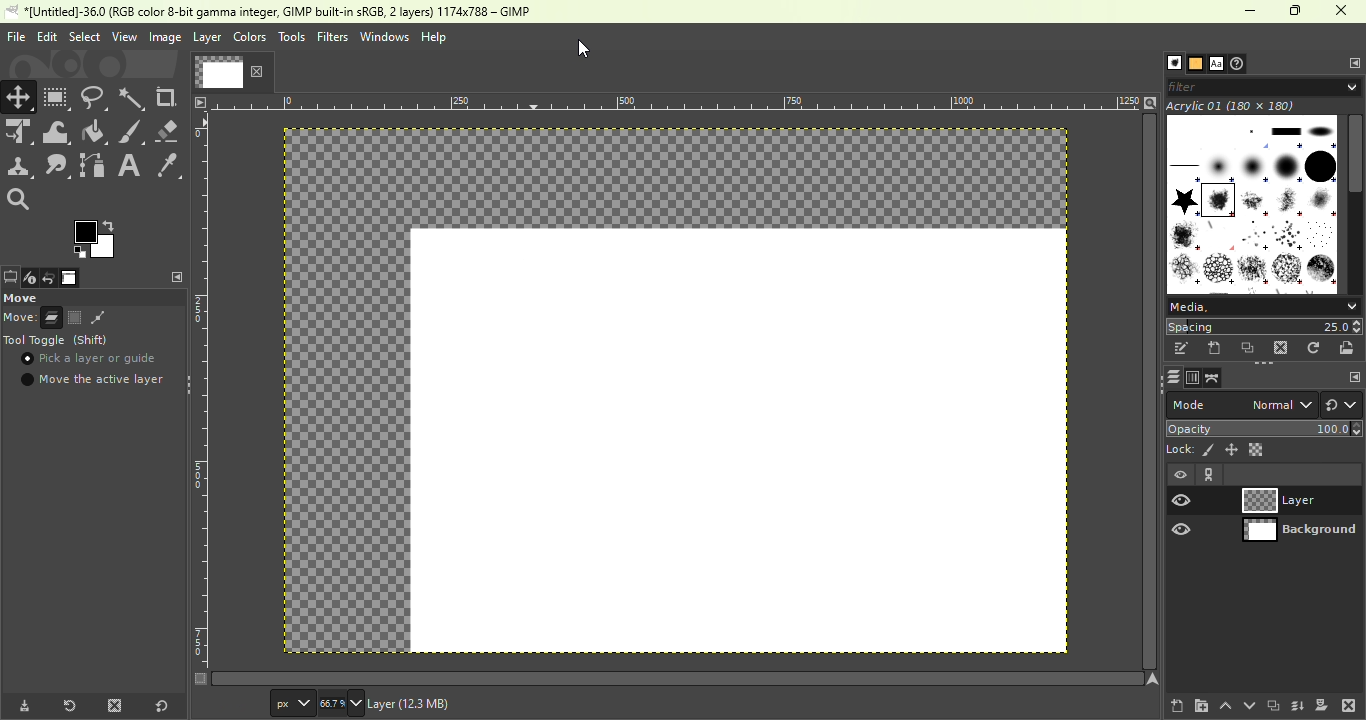  I want to click on Move this layer to the top of the layer stack, so click(1224, 706).